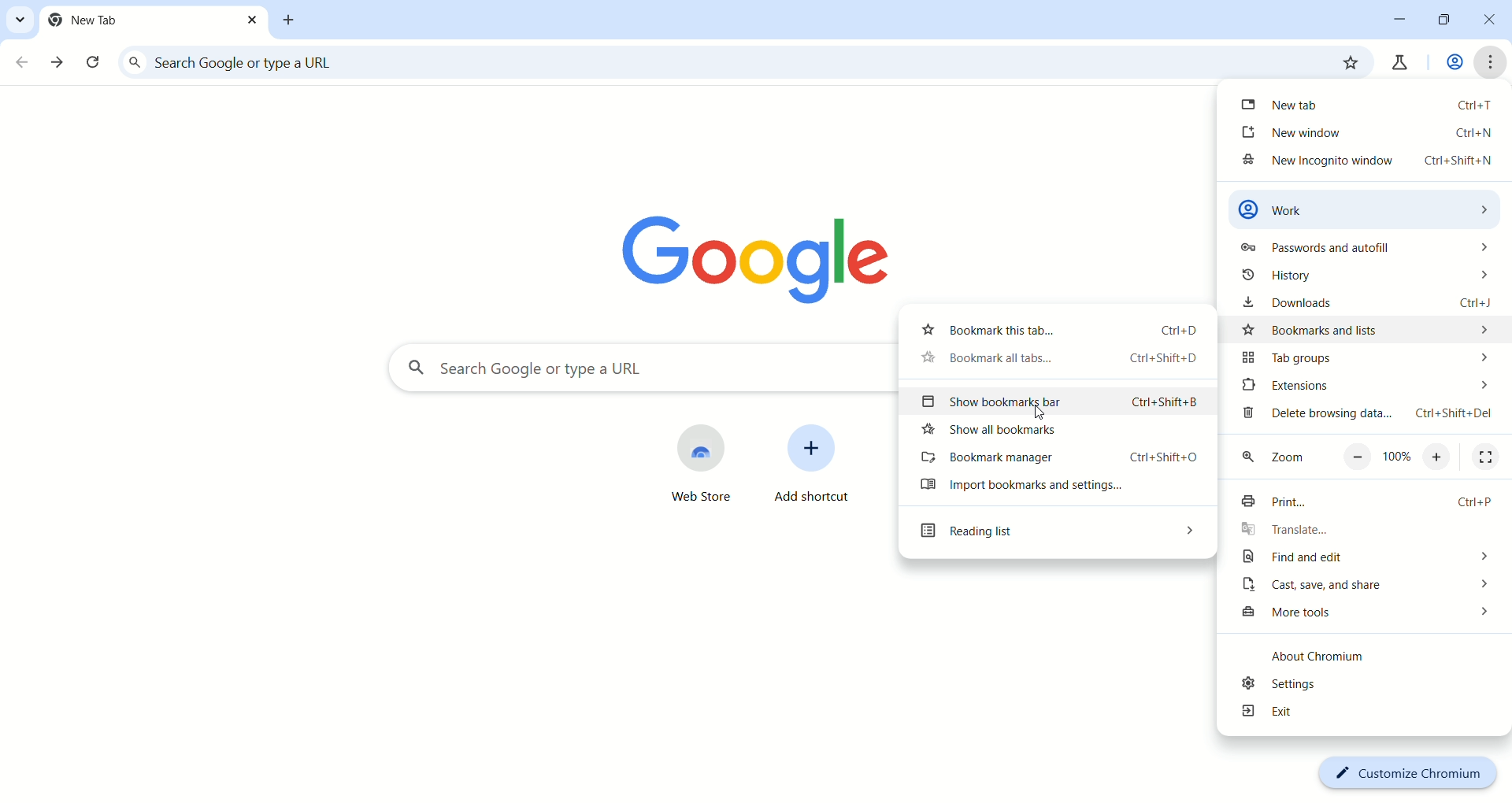  What do you see at coordinates (1042, 413) in the screenshot?
I see `cursor` at bounding box center [1042, 413].